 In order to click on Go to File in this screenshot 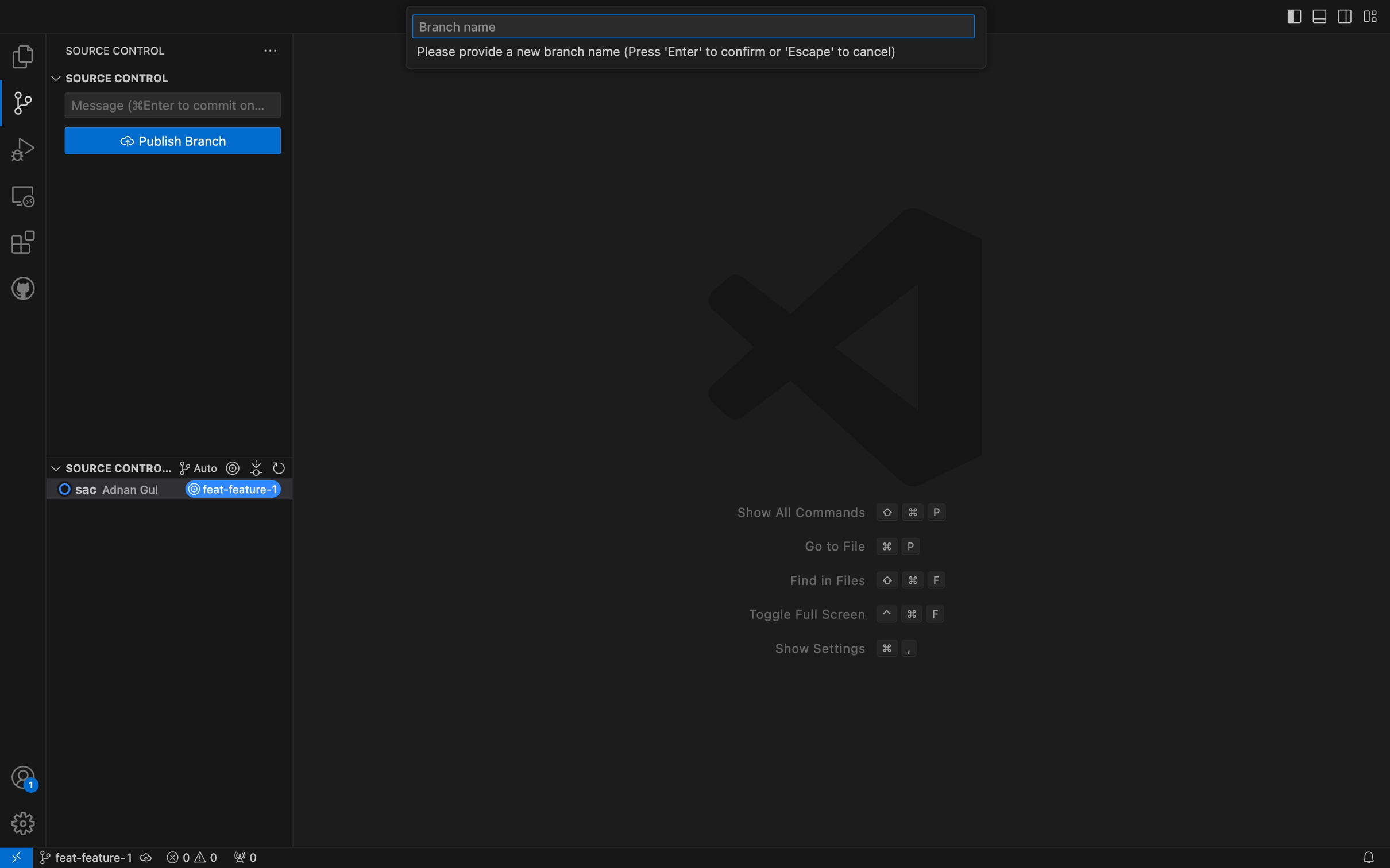, I will do `click(823, 547)`.